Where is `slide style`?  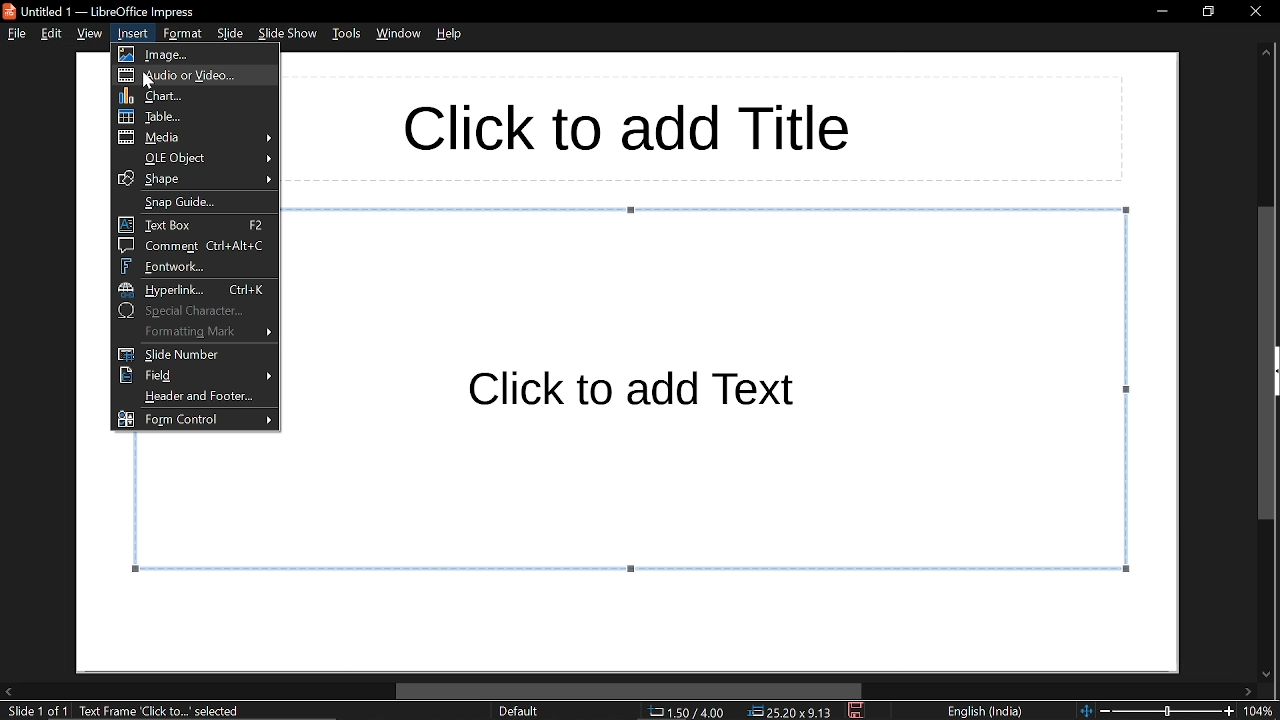 slide style is located at coordinates (518, 711).